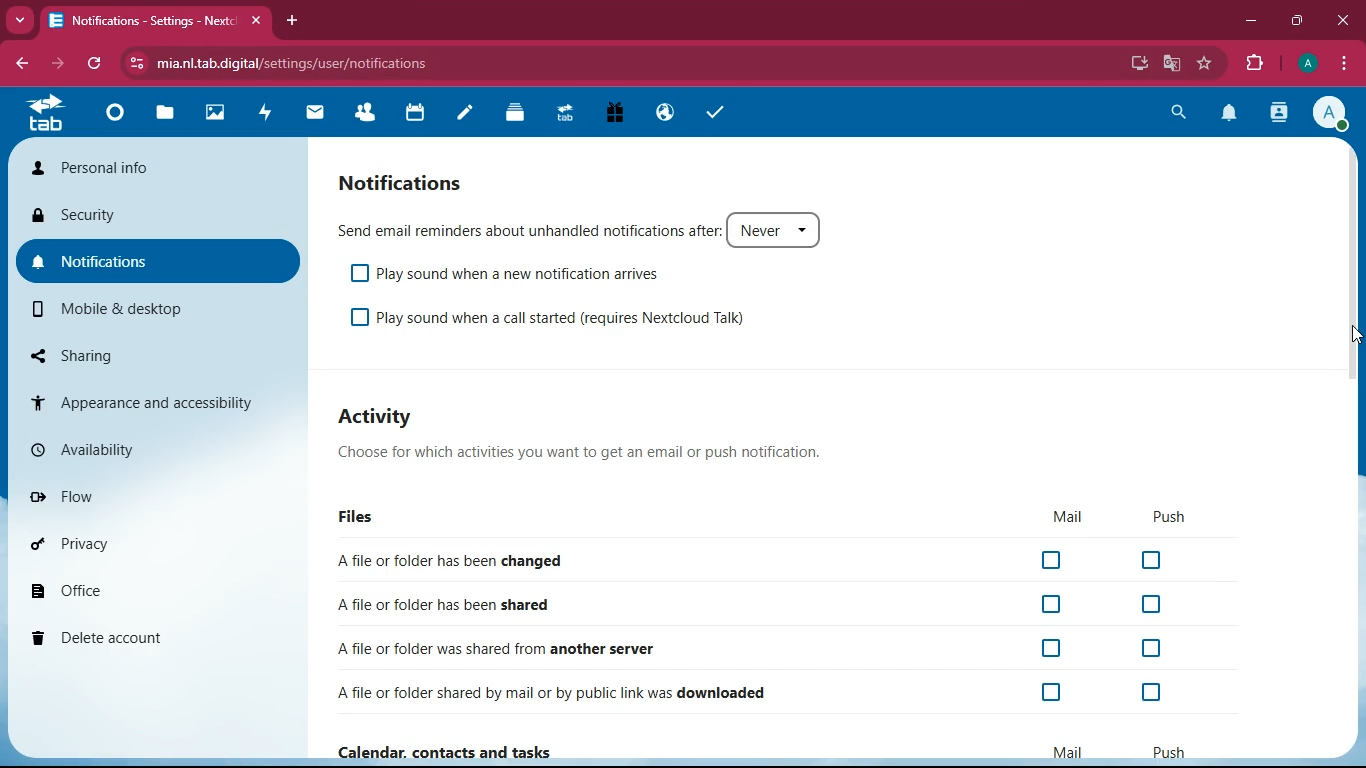  I want to click on checkbox, so click(359, 318).